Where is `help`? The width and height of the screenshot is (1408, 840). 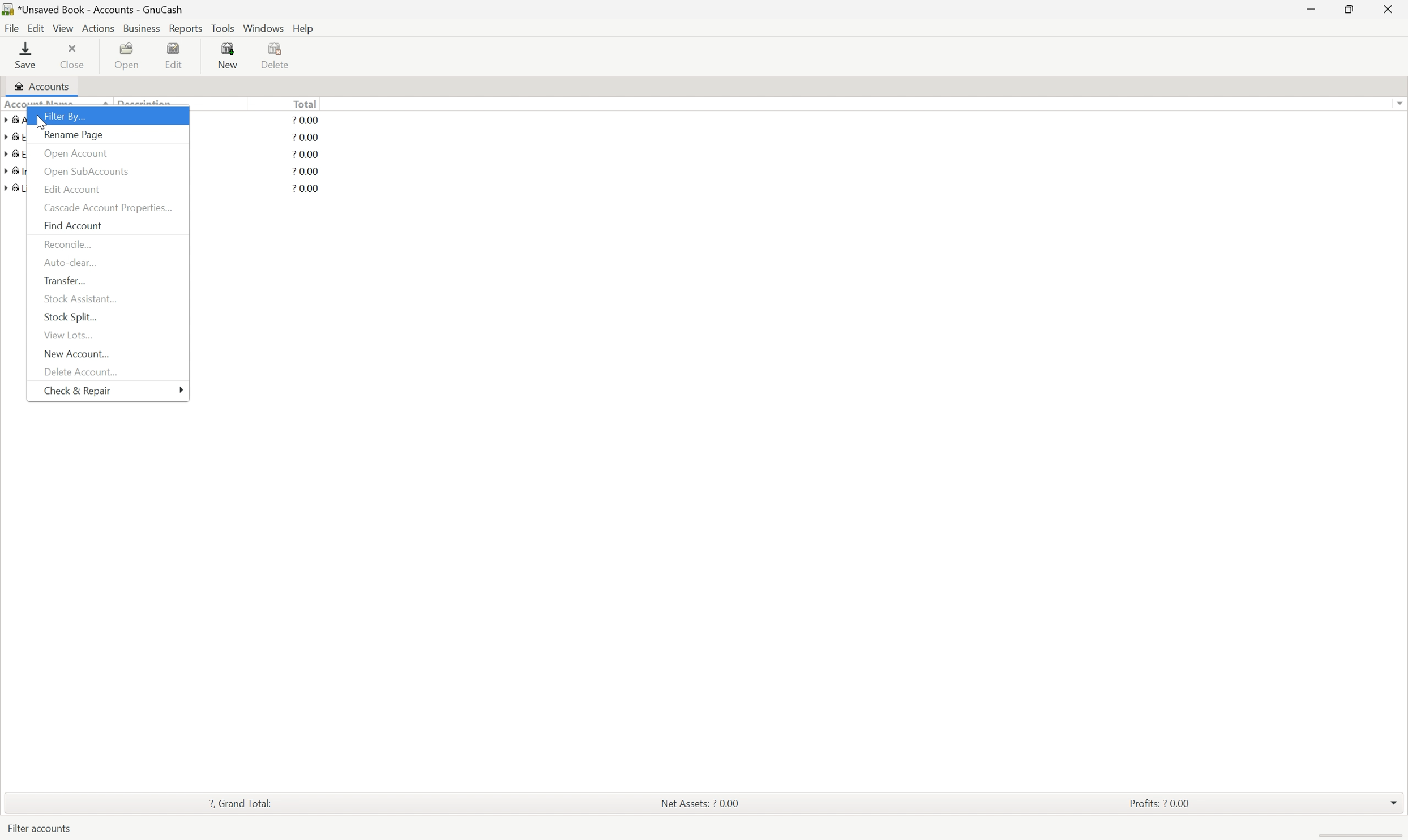
help is located at coordinates (305, 29).